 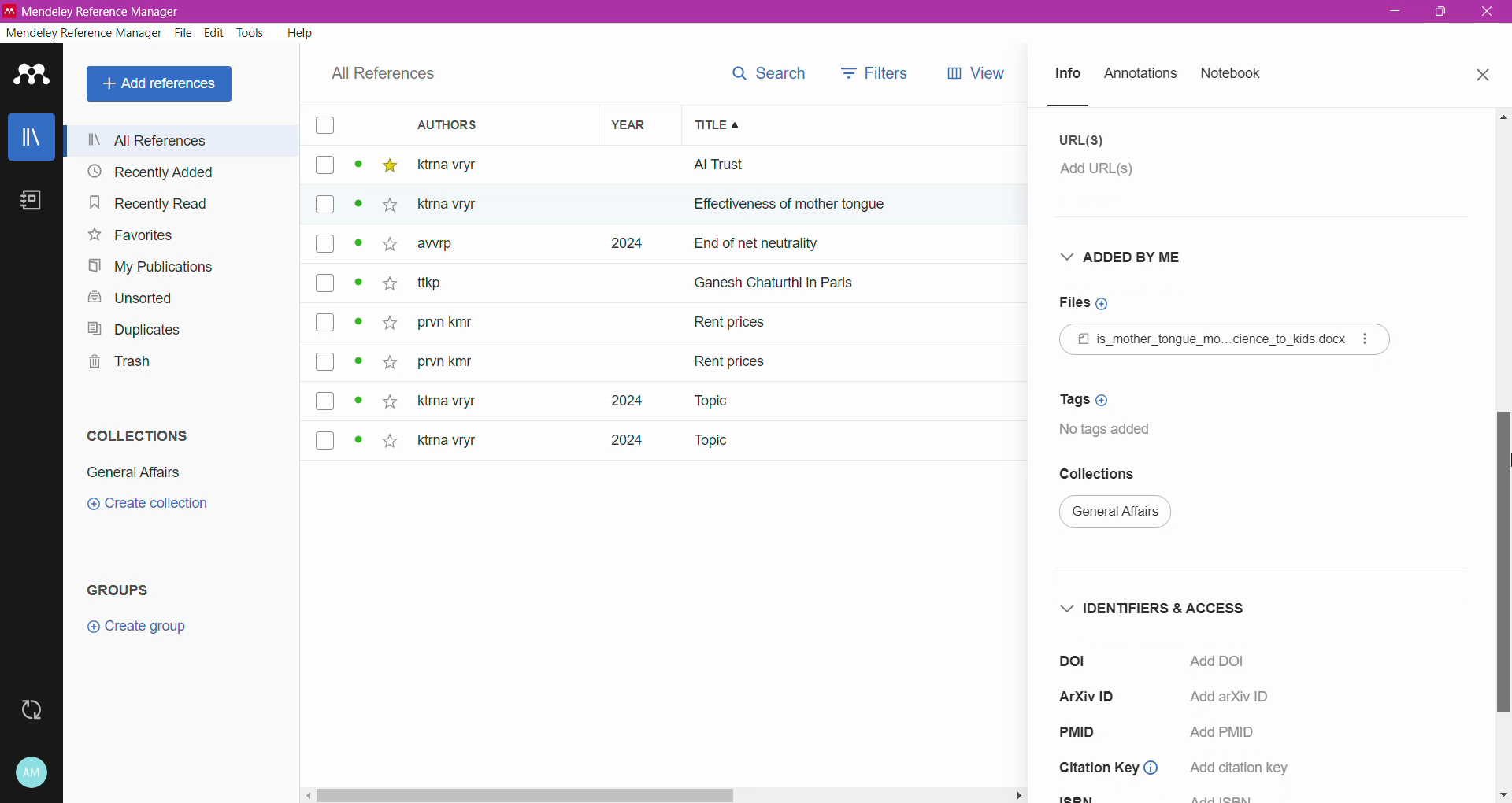 I want to click on line , so click(x=1083, y=105).